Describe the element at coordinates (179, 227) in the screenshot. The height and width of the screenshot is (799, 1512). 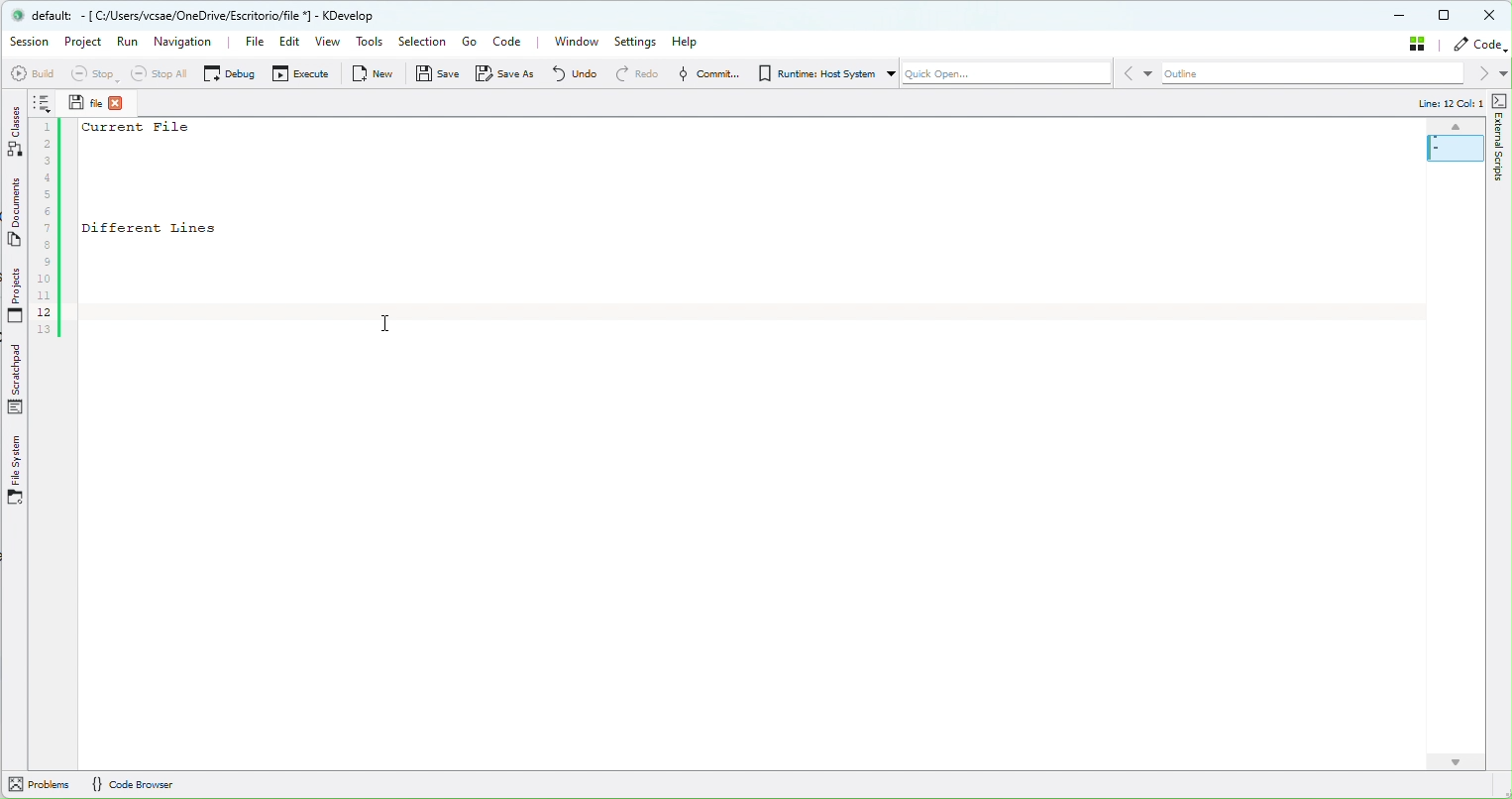
I see `1Current Files 7| Different Lines[510un1213` at that location.